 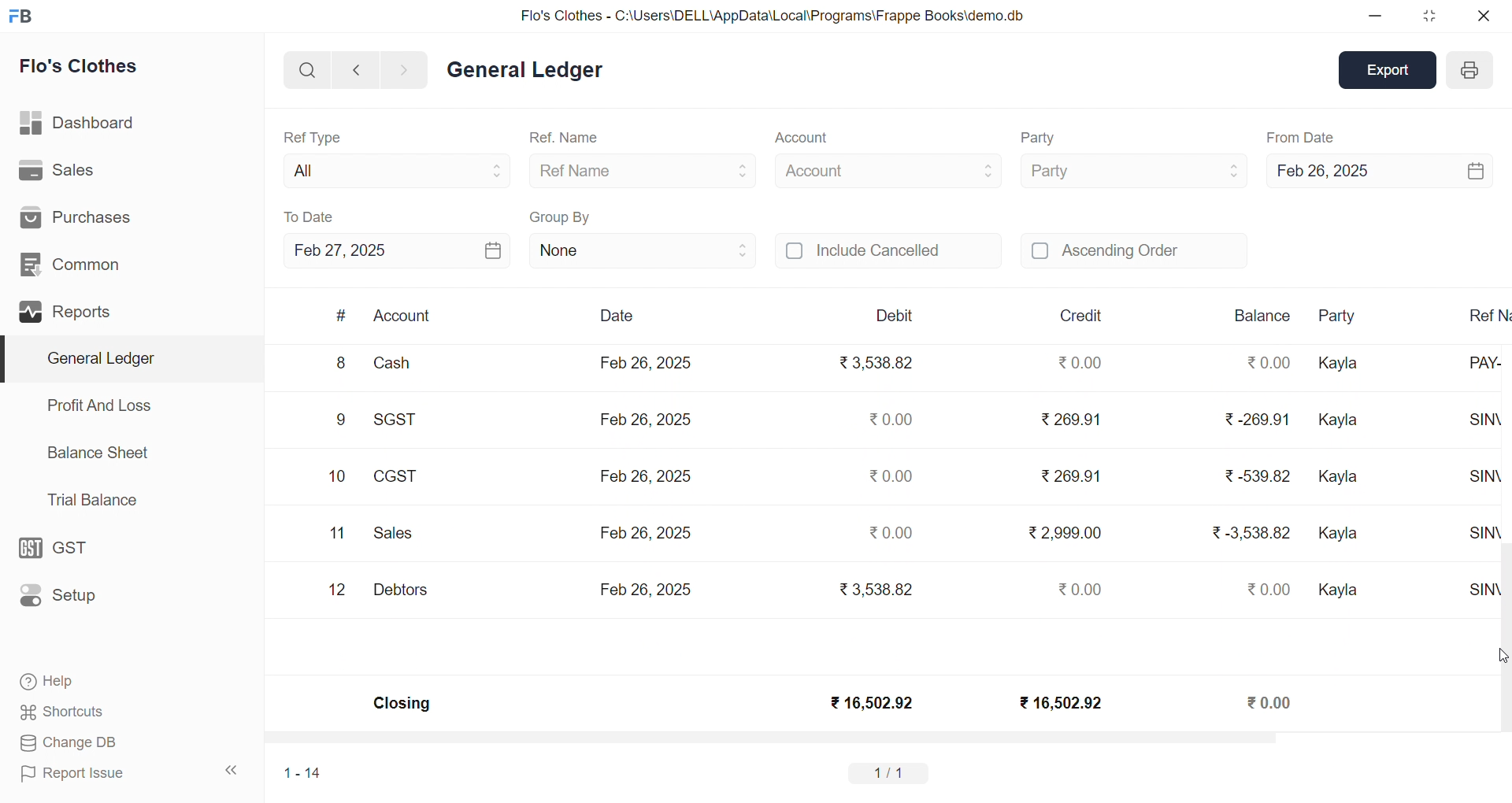 What do you see at coordinates (1482, 16) in the screenshot?
I see `CLOSE` at bounding box center [1482, 16].